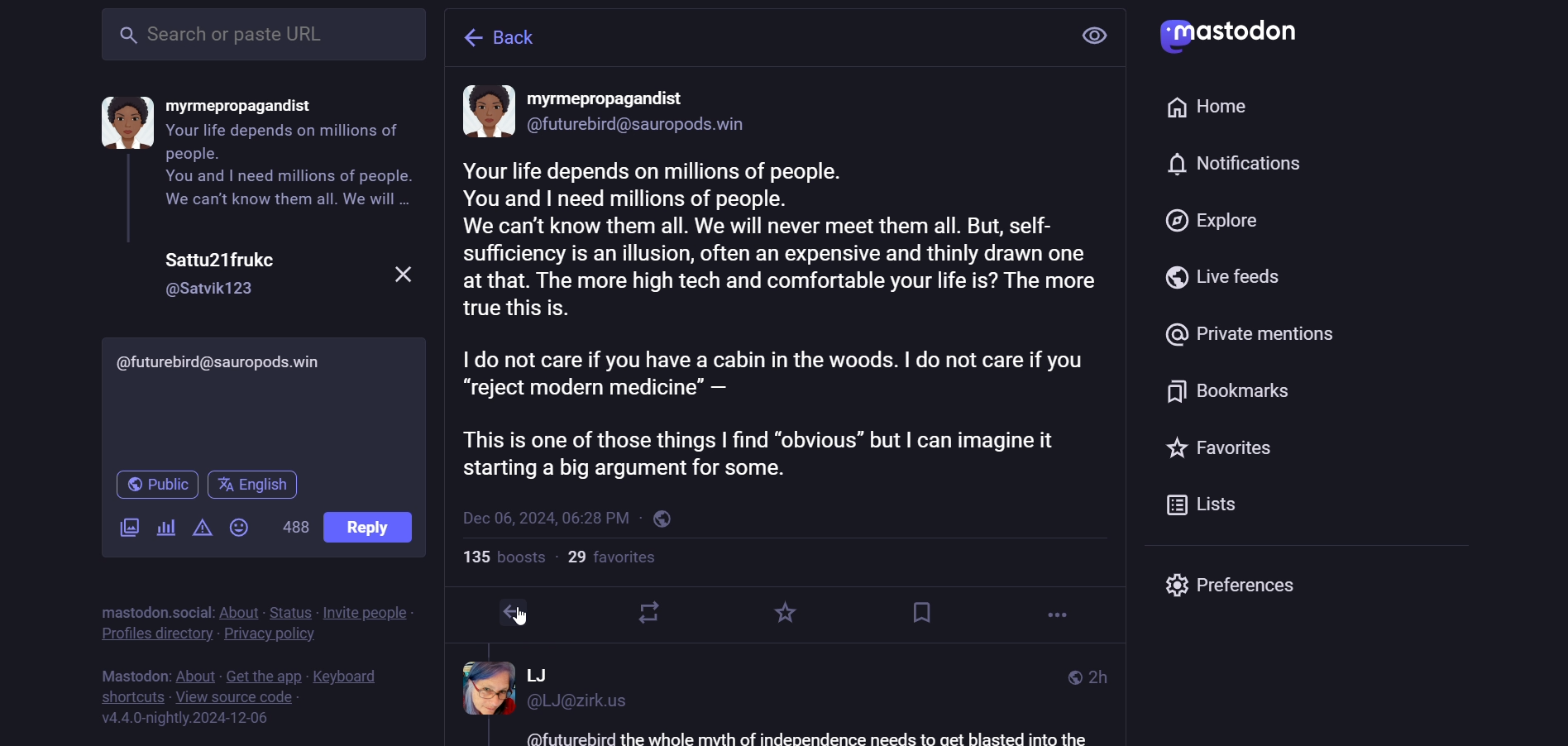  I want to click on preferences, so click(1234, 587).